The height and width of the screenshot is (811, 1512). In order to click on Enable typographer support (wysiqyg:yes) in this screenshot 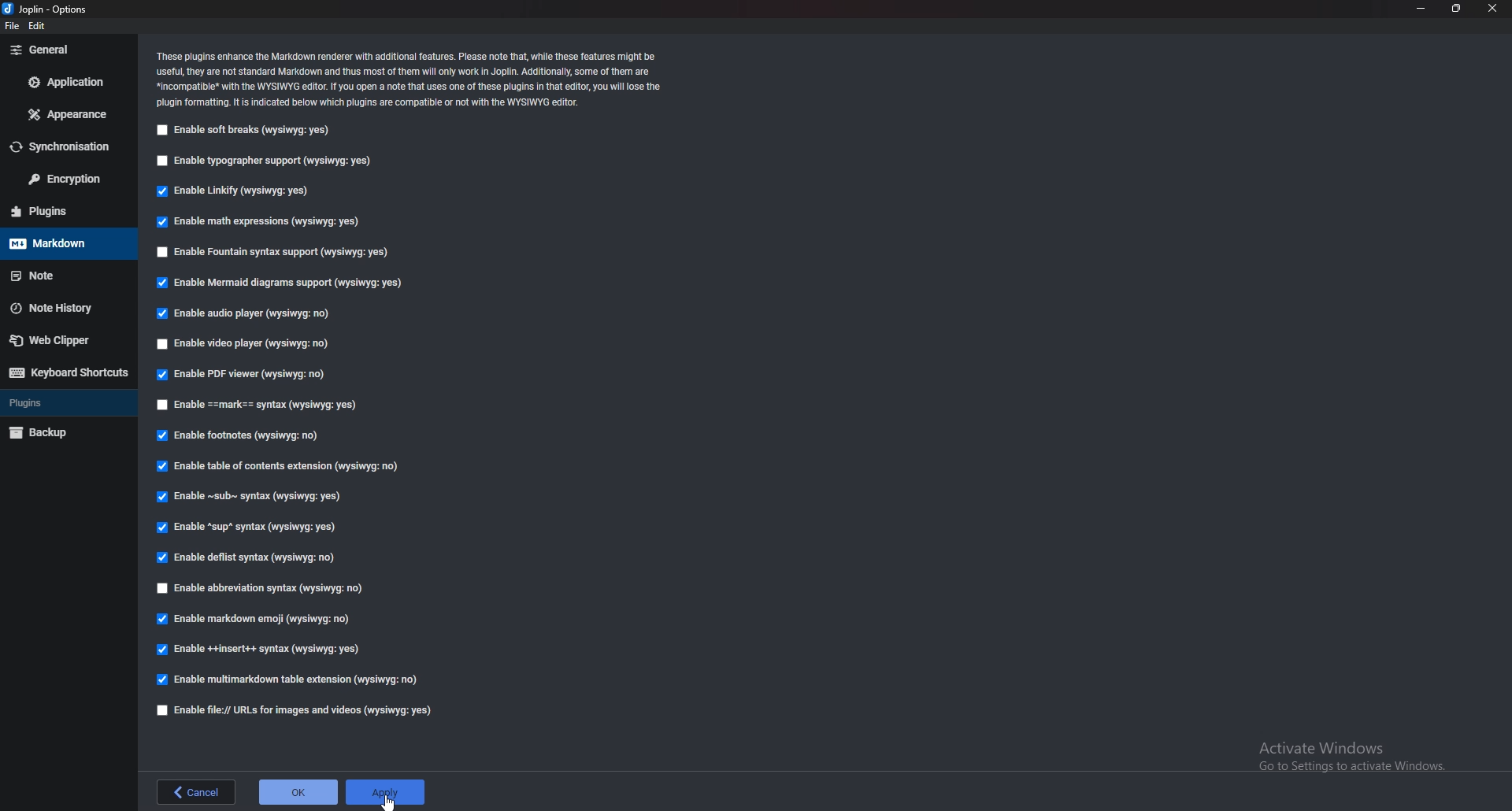, I will do `click(266, 161)`.